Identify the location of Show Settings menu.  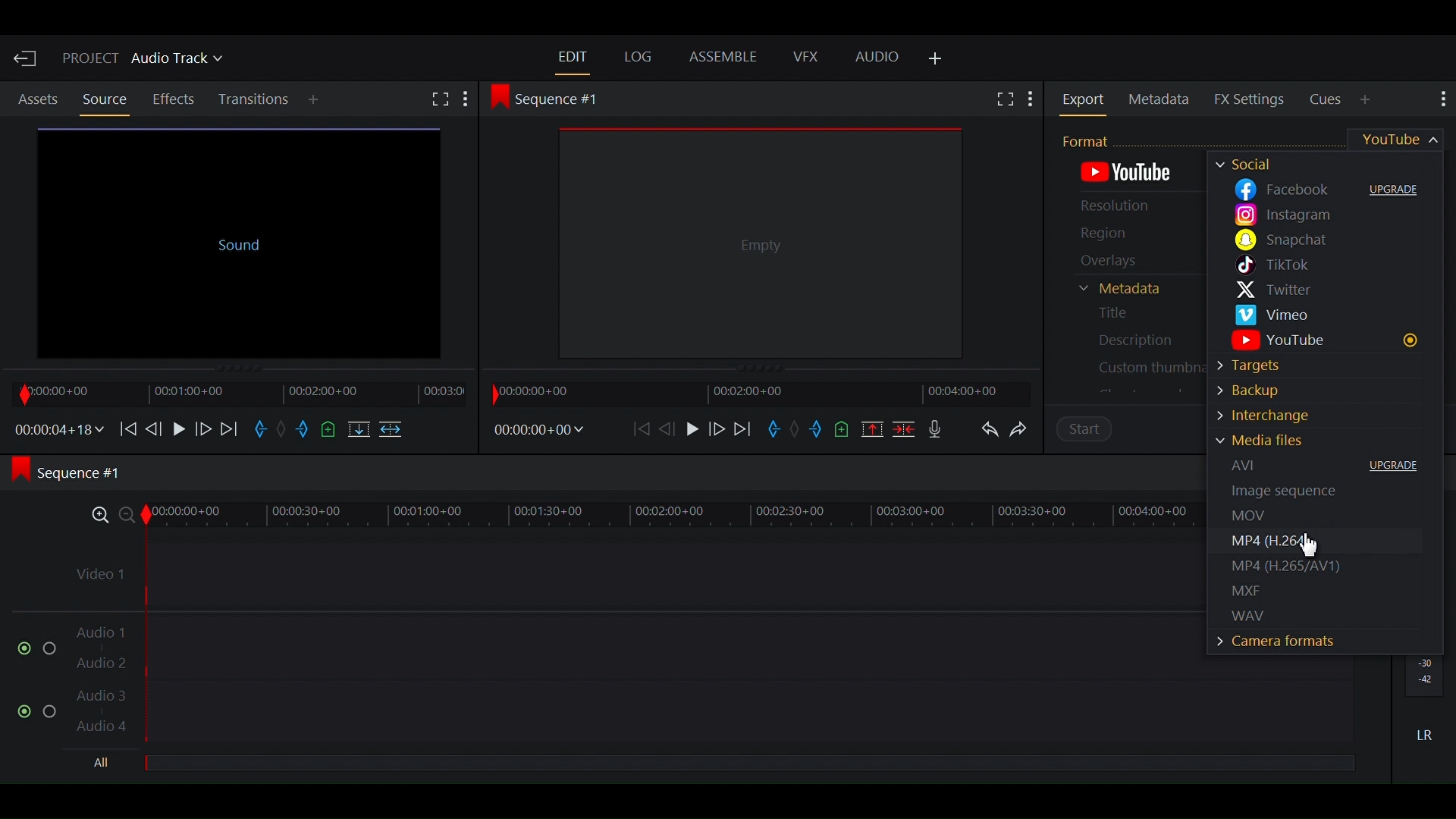
(1031, 101).